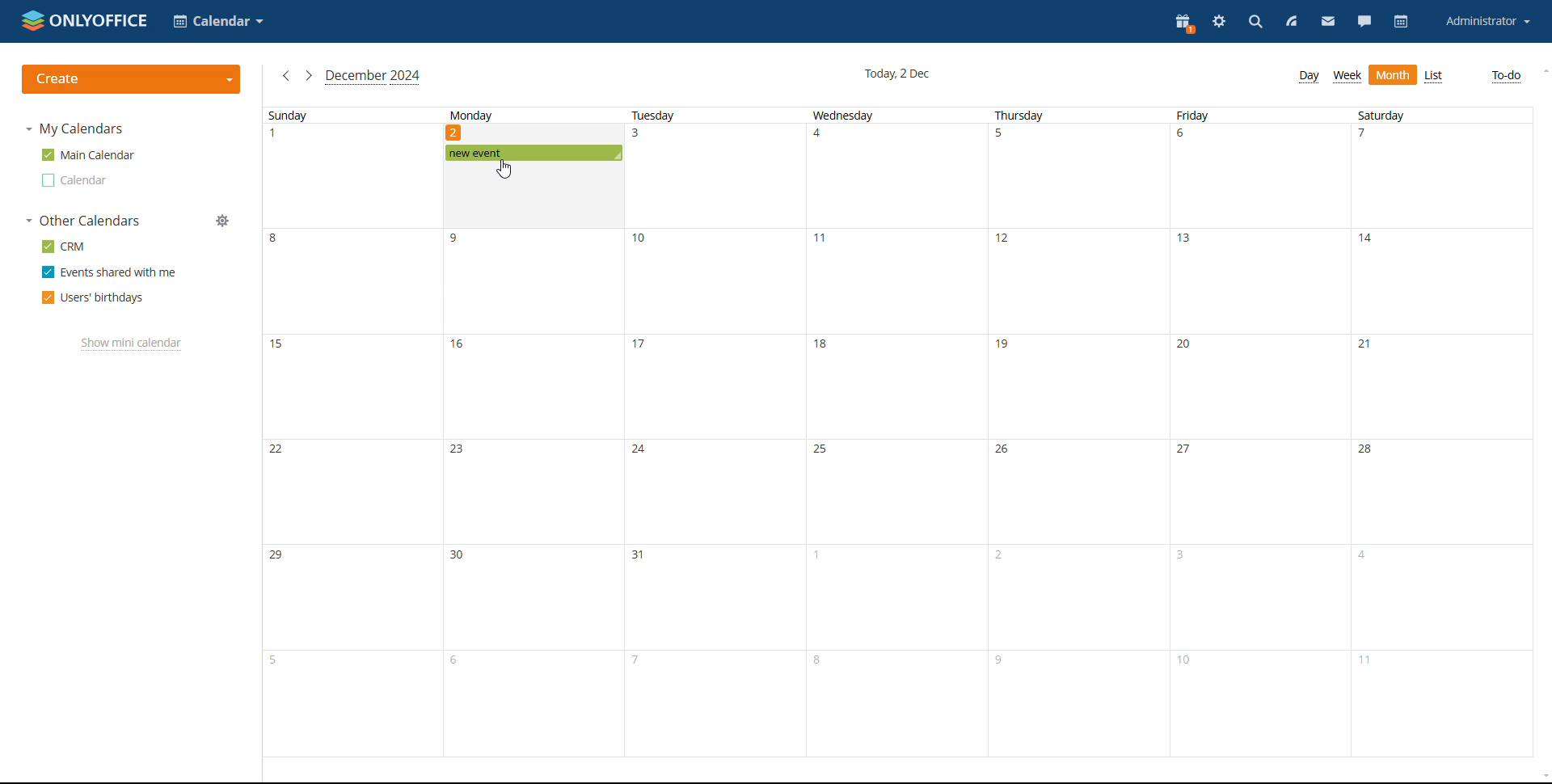  What do you see at coordinates (222, 221) in the screenshot?
I see `calendar settings ` at bounding box center [222, 221].